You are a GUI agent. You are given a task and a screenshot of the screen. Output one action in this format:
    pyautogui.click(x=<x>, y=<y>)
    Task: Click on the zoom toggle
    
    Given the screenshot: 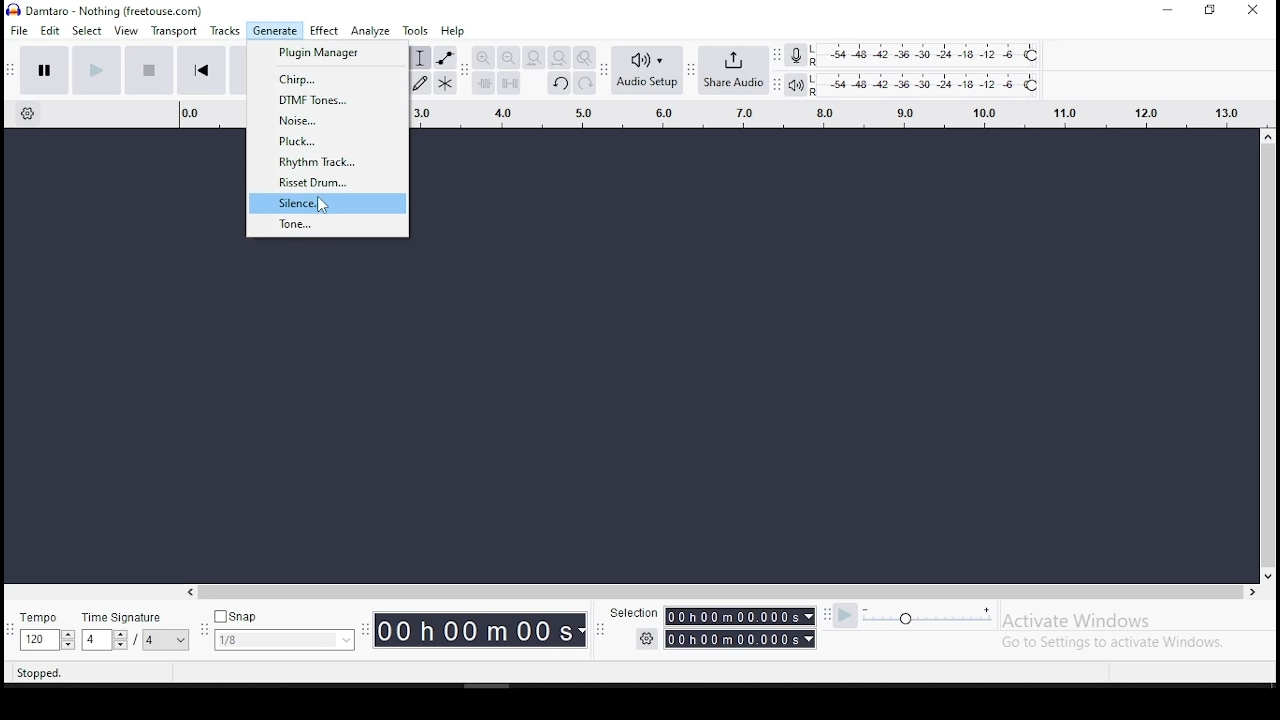 What is the action you would take?
    pyautogui.click(x=585, y=58)
    